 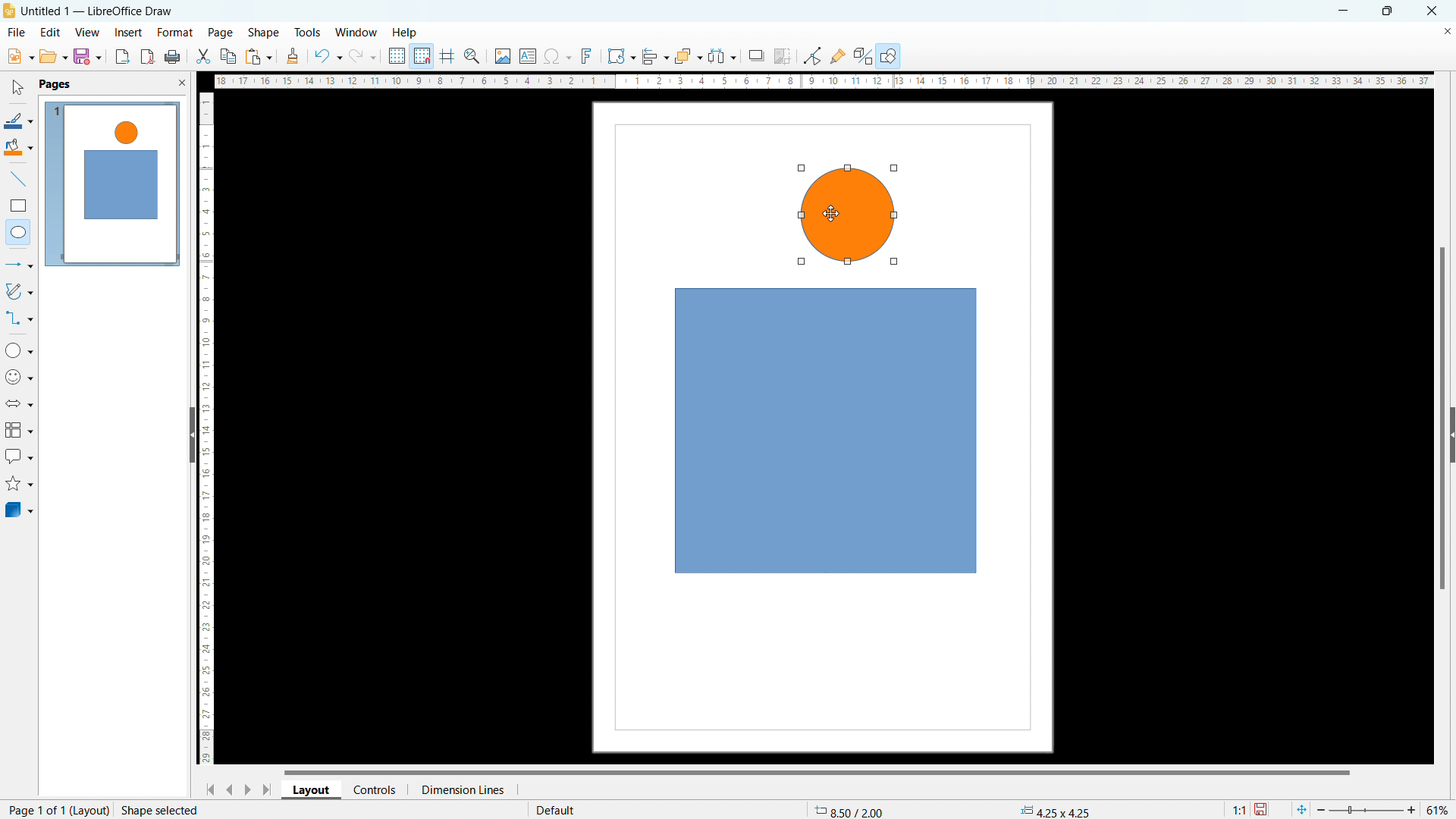 I want to click on save, so click(x=1263, y=810).